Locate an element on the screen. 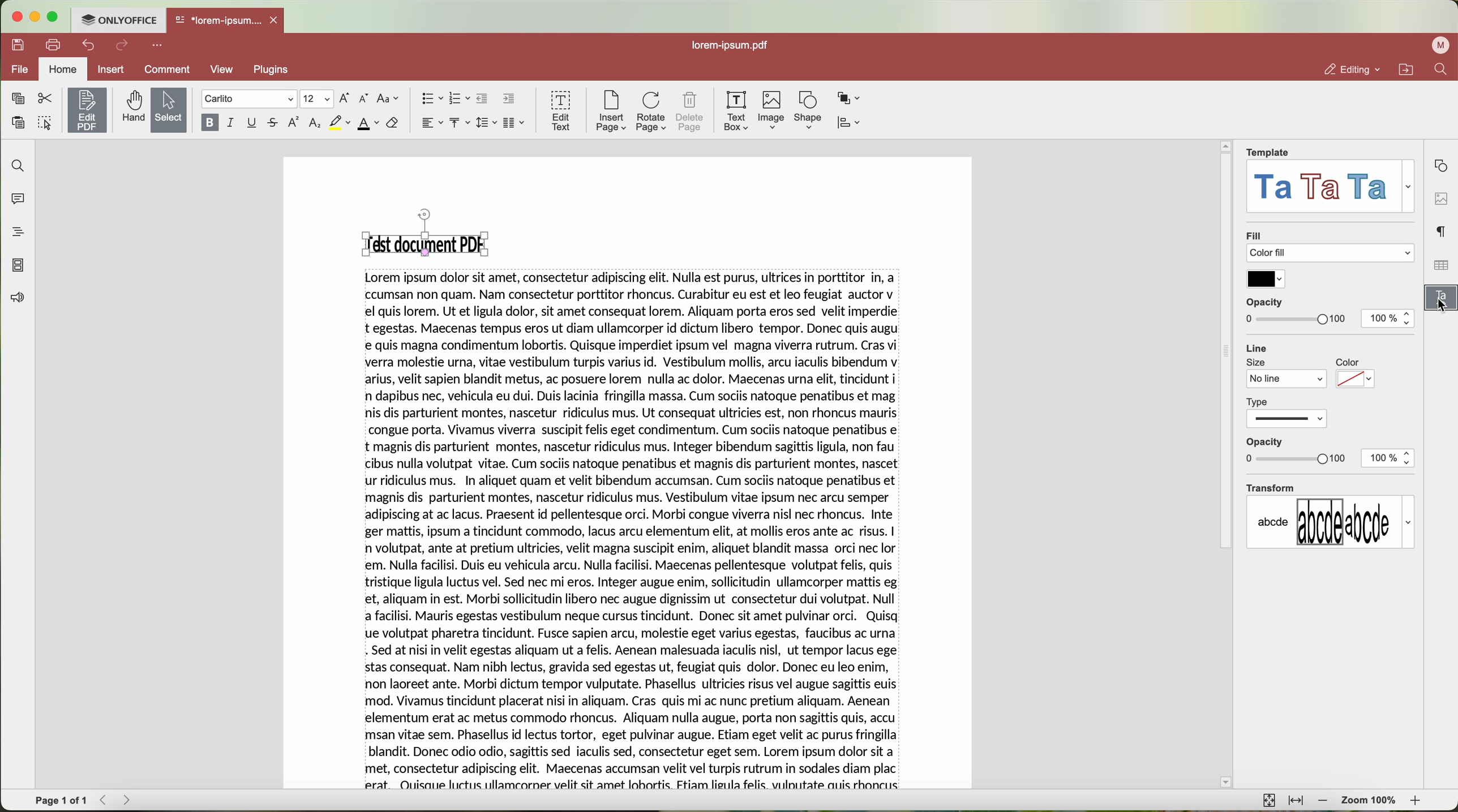 Image resolution: width=1458 pixels, height=812 pixels. edit PDF is located at coordinates (85, 110).